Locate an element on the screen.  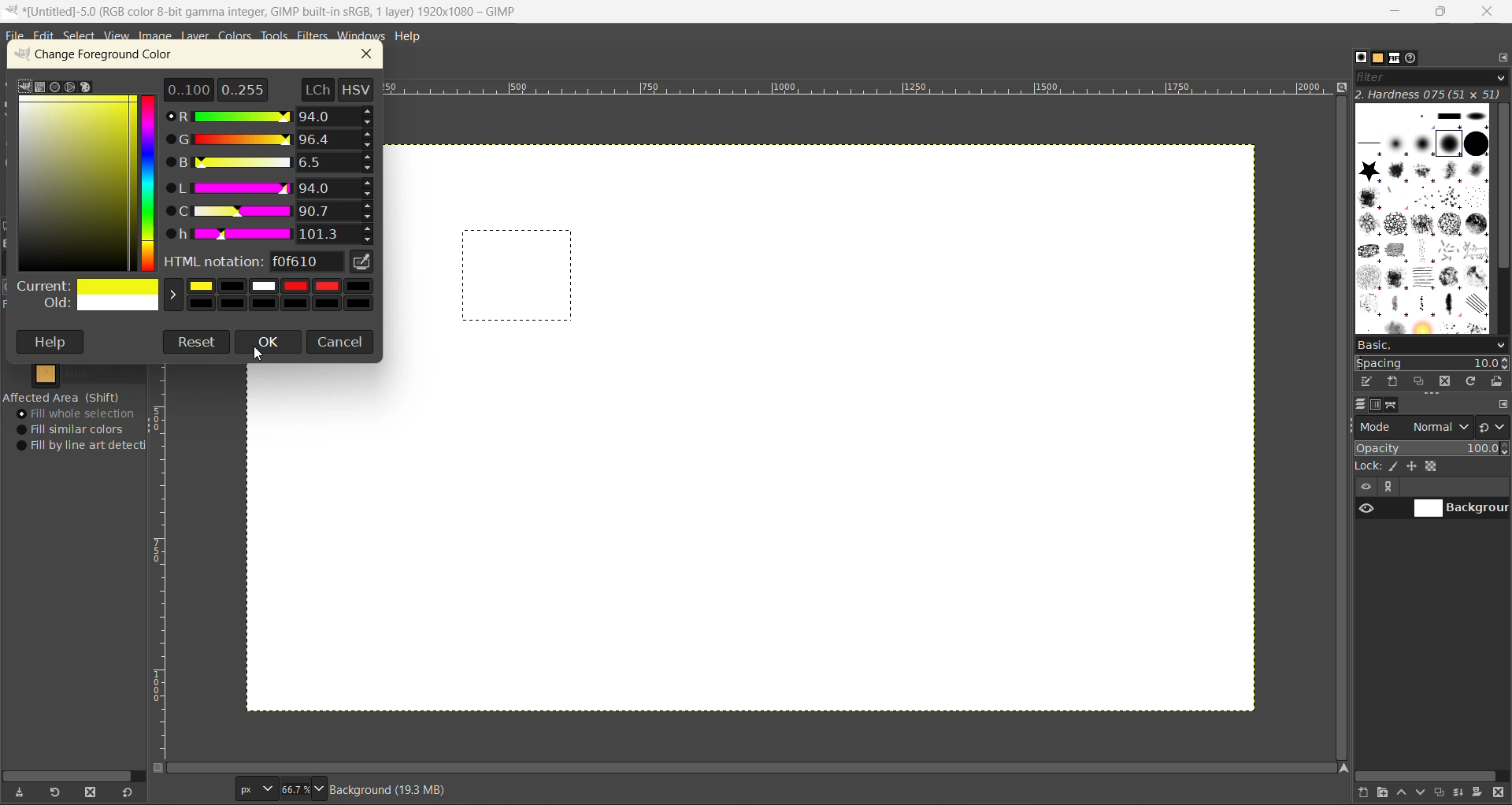
LCH is located at coordinates (316, 88).